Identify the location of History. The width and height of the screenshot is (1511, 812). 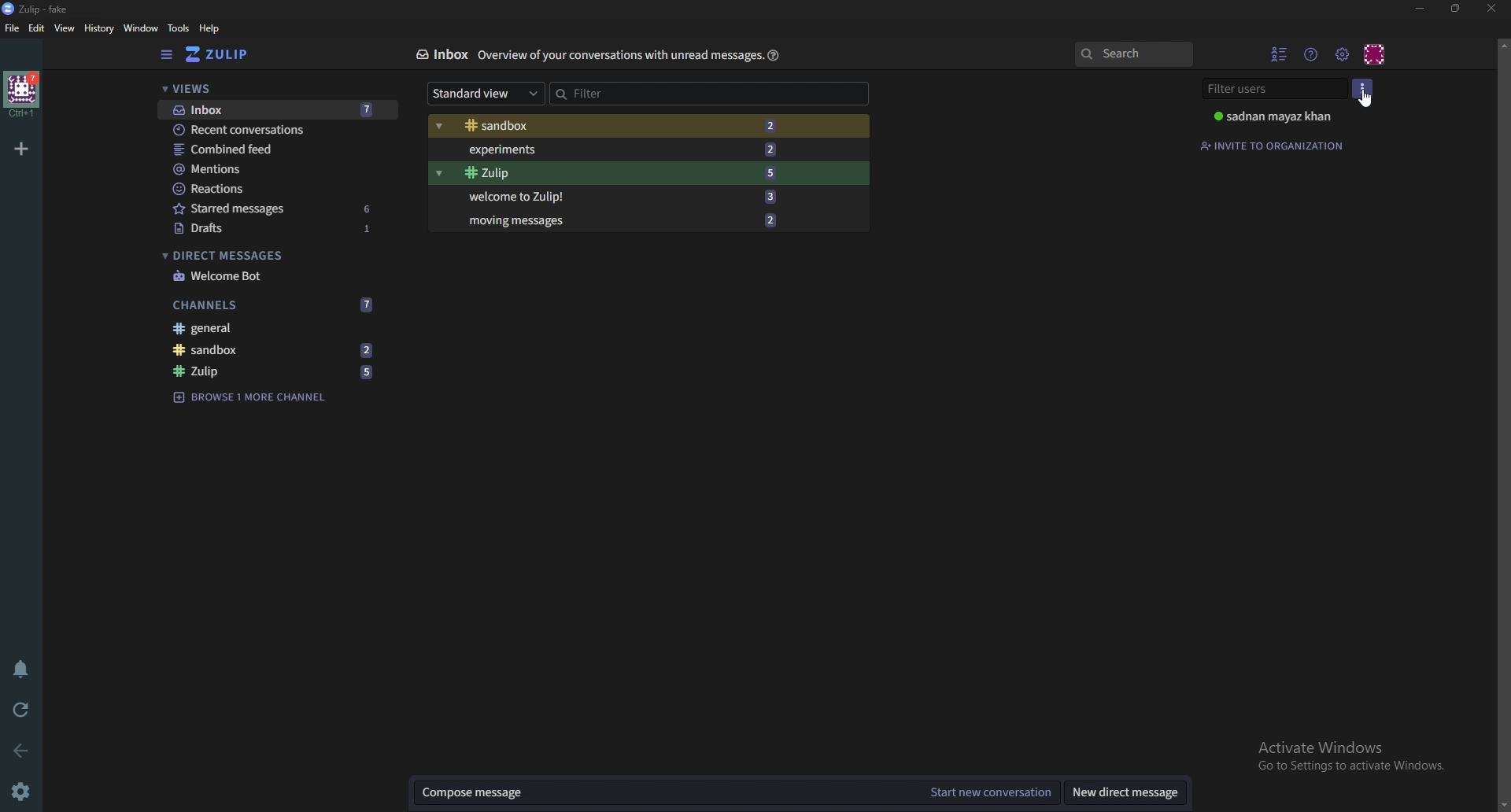
(98, 29).